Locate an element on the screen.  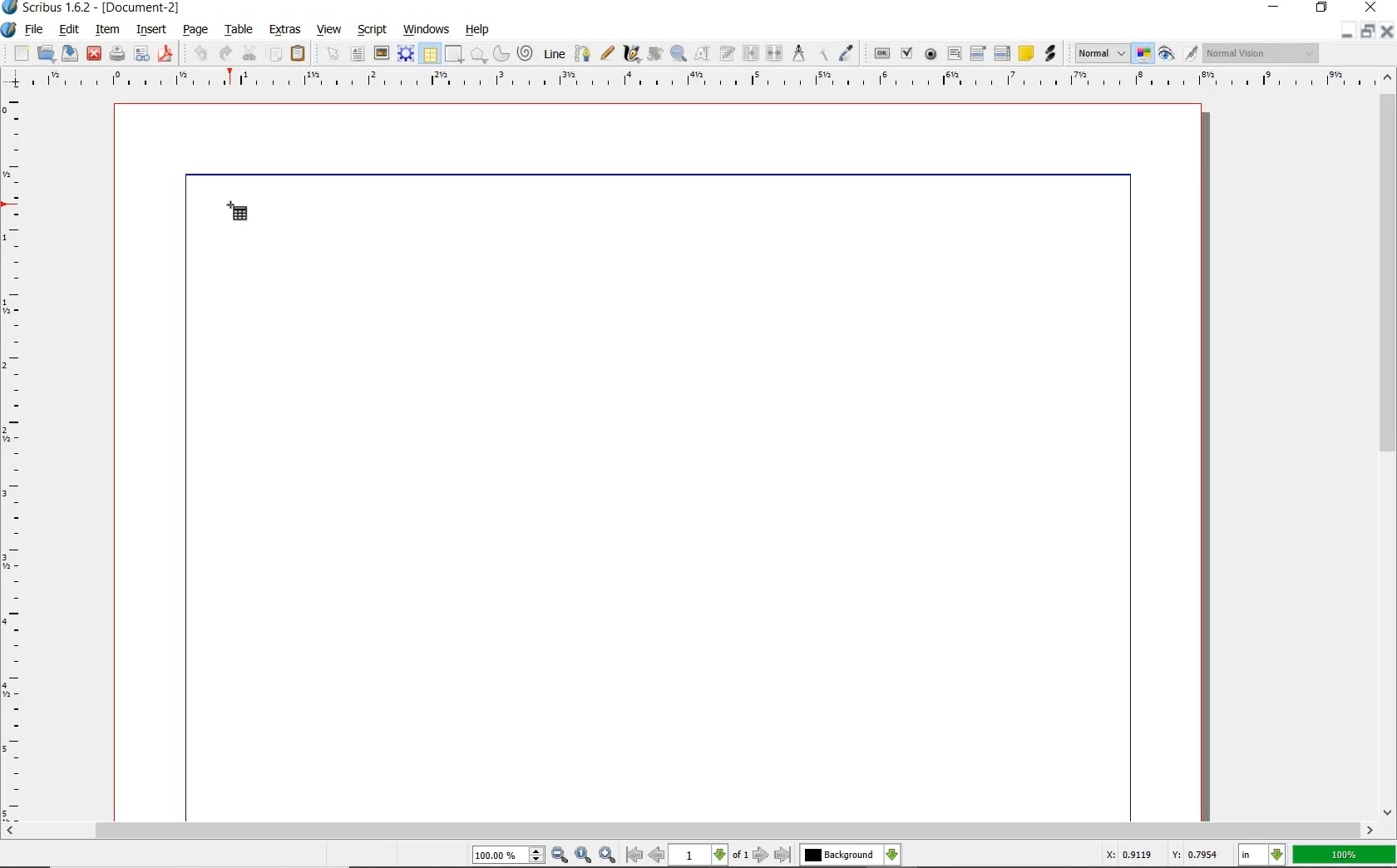
edit in preview mode is located at coordinates (1190, 53).